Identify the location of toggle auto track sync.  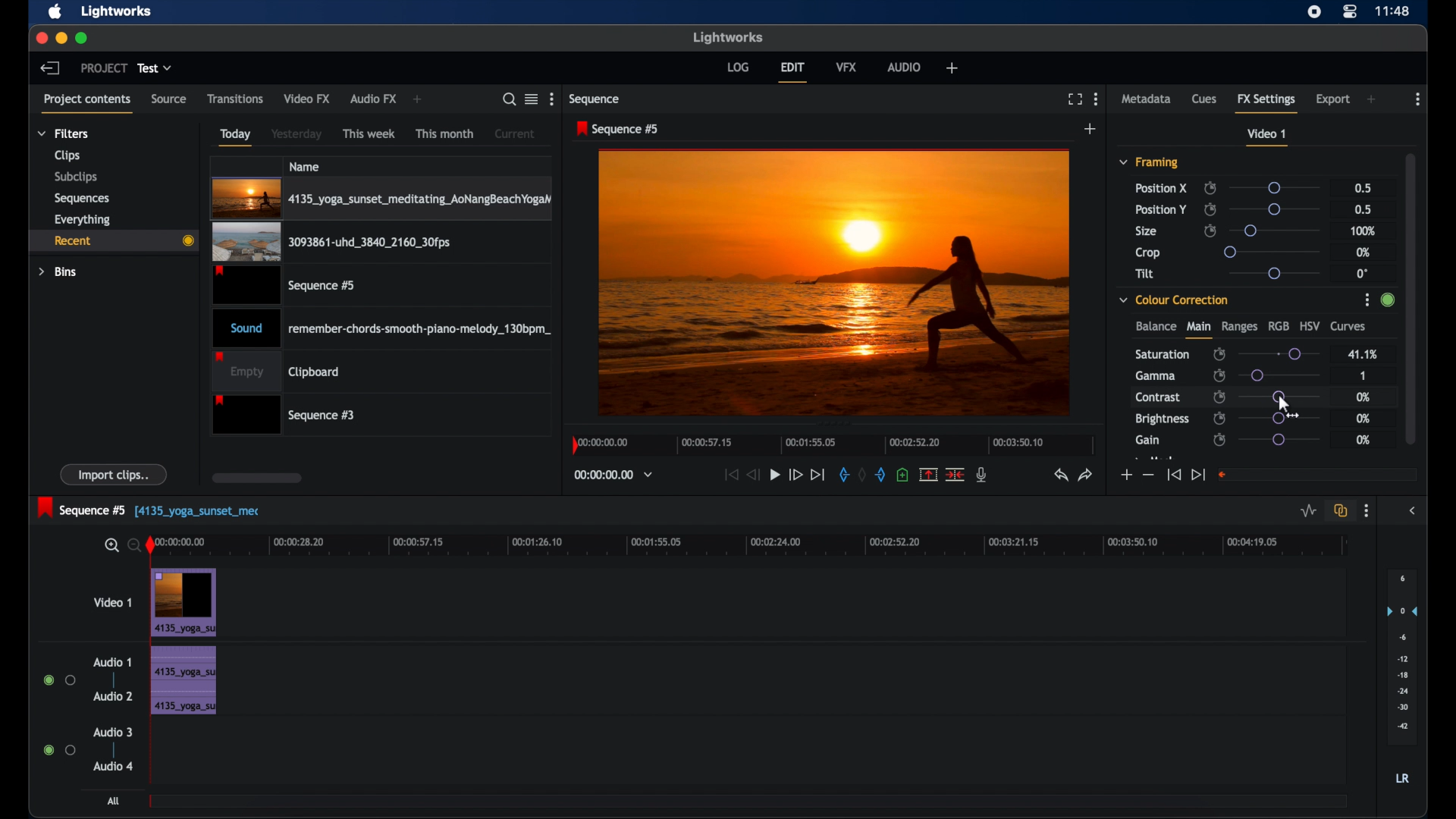
(1338, 510).